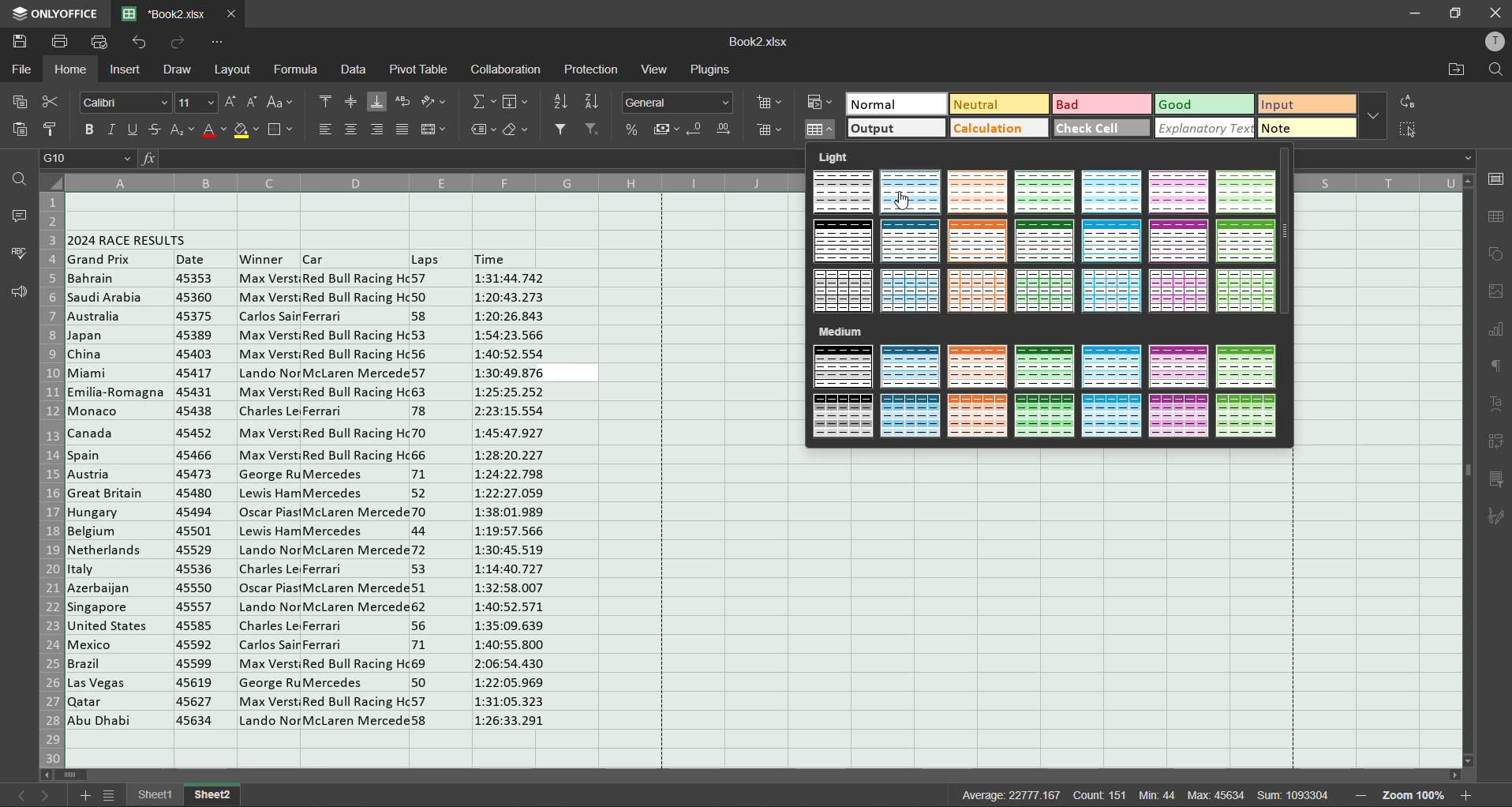 This screenshot has width=1512, height=807. I want to click on charts , so click(1496, 330).